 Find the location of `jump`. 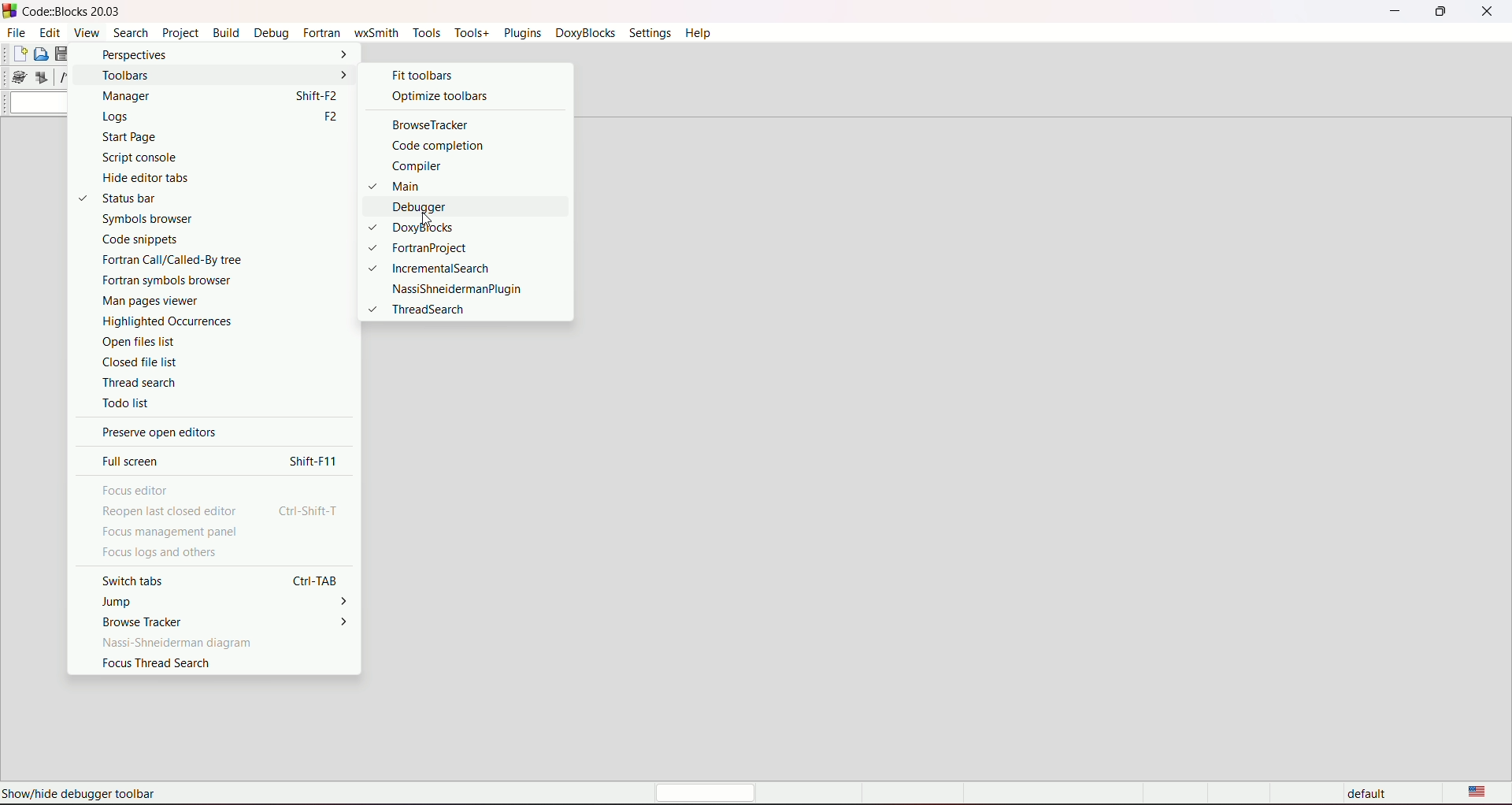

jump is located at coordinates (119, 602).